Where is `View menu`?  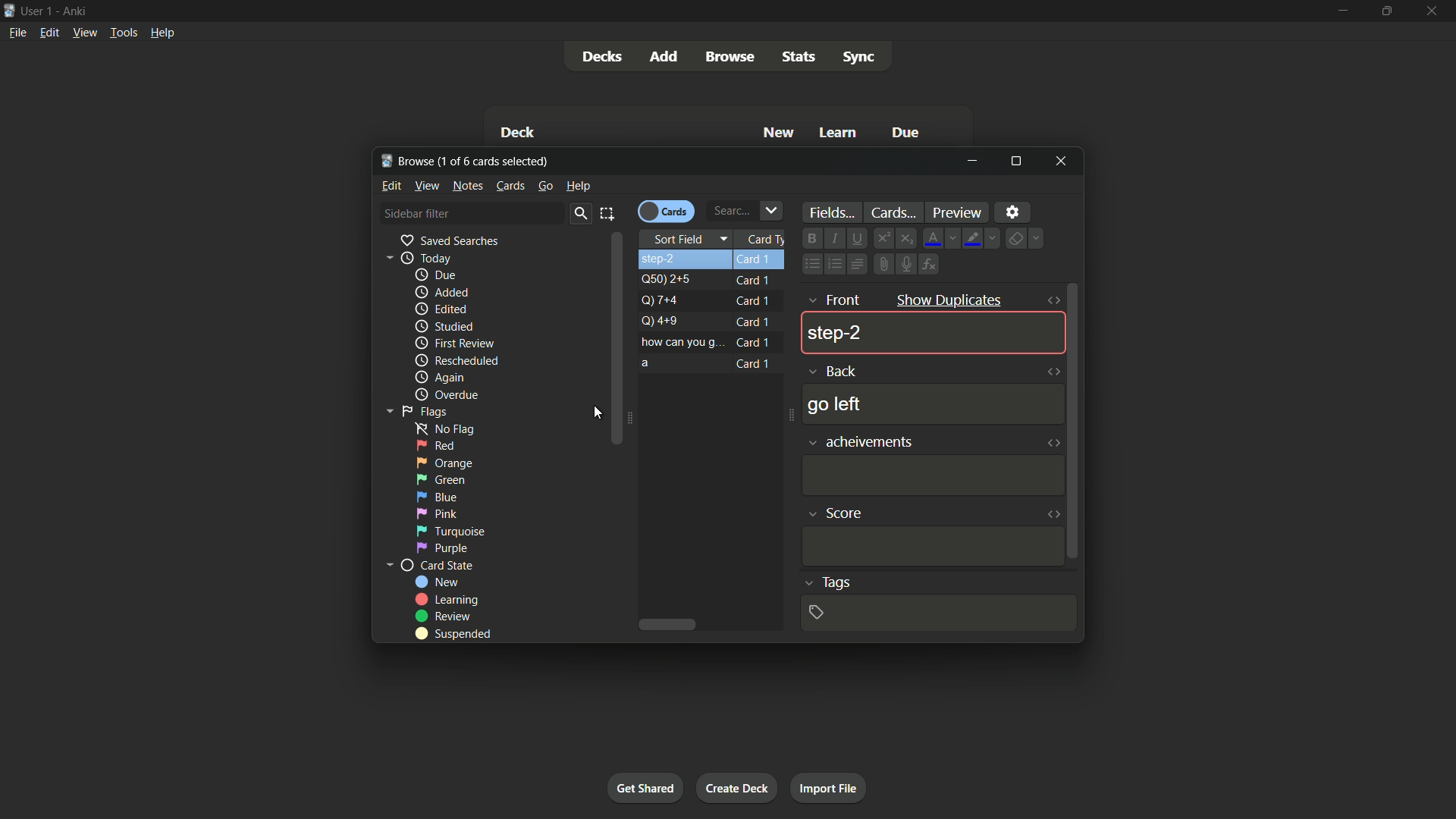 View menu is located at coordinates (84, 33).